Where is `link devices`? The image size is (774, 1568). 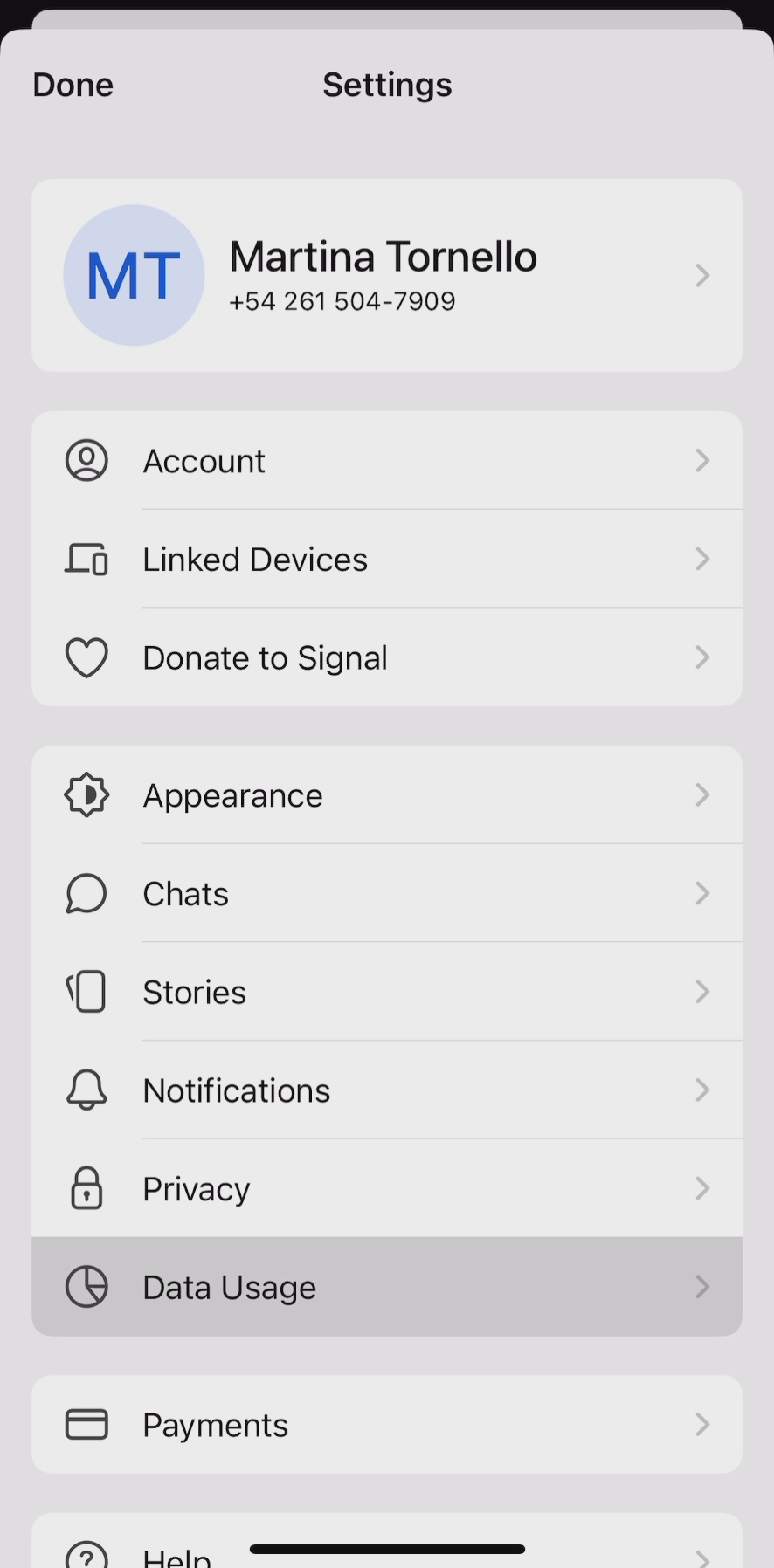
link devices is located at coordinates (385, 561).